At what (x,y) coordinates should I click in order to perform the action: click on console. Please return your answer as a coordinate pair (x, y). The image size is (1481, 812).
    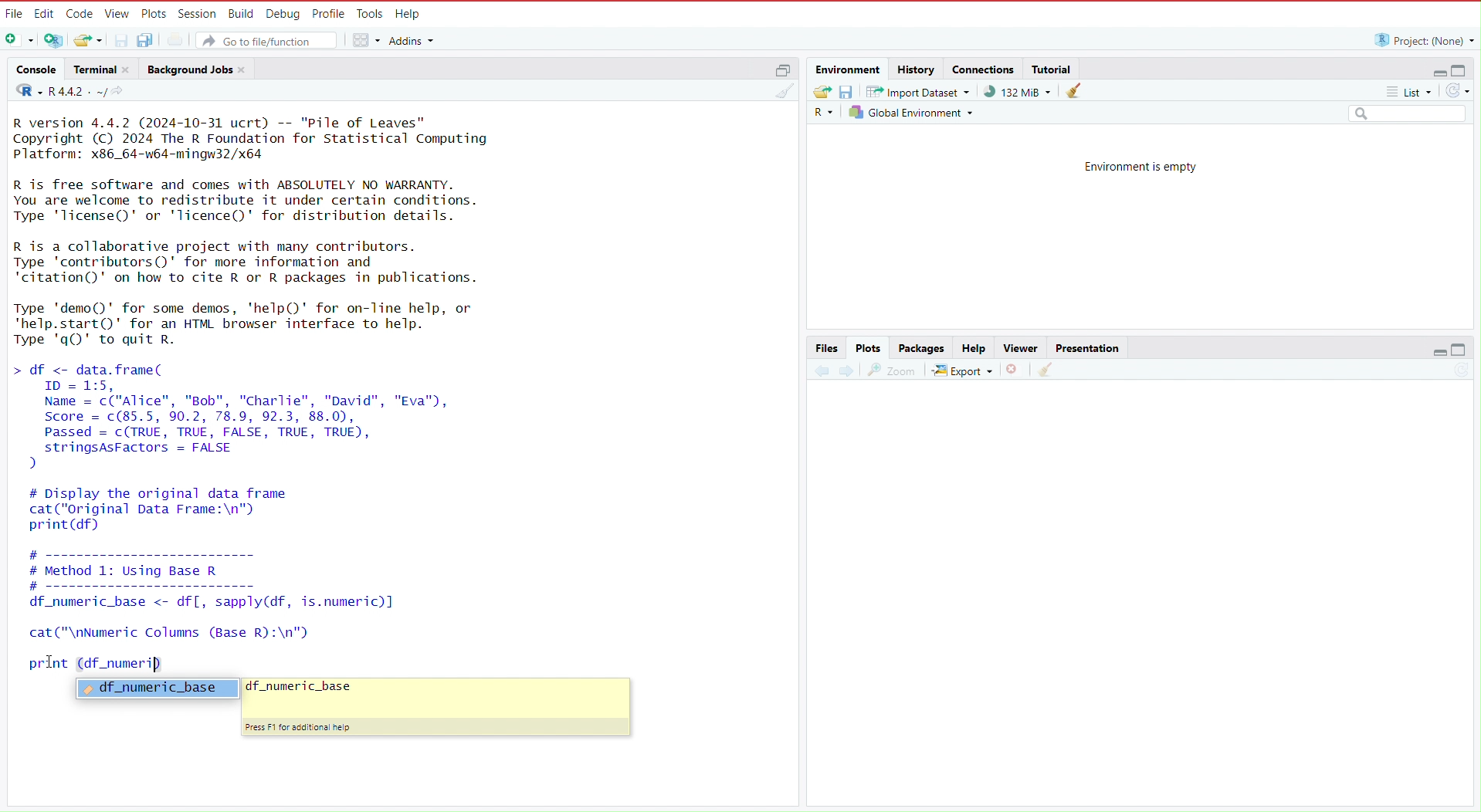
    Looking at the image, I should click on (32, 67).